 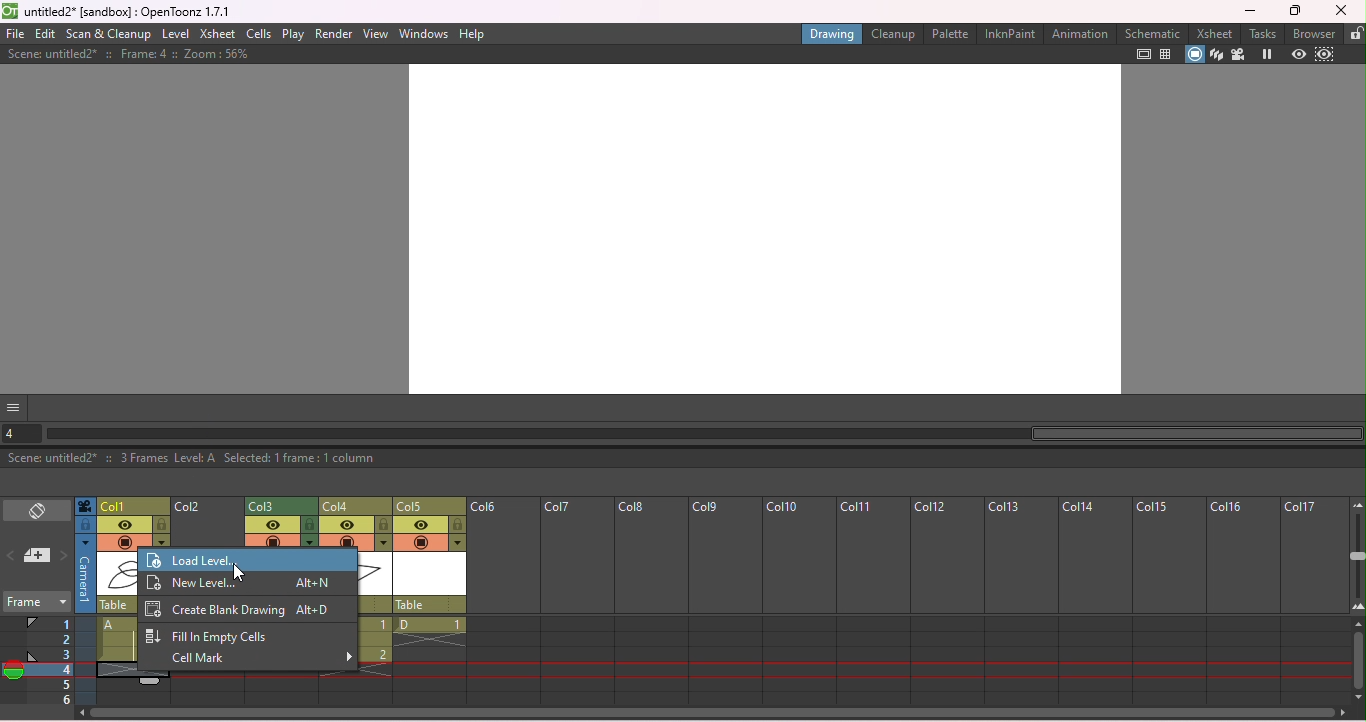 What do you see at coordinates (1358, 662) in the screenshot?
I see `Vertical scroll bar` at bounding box center [1358, 662].